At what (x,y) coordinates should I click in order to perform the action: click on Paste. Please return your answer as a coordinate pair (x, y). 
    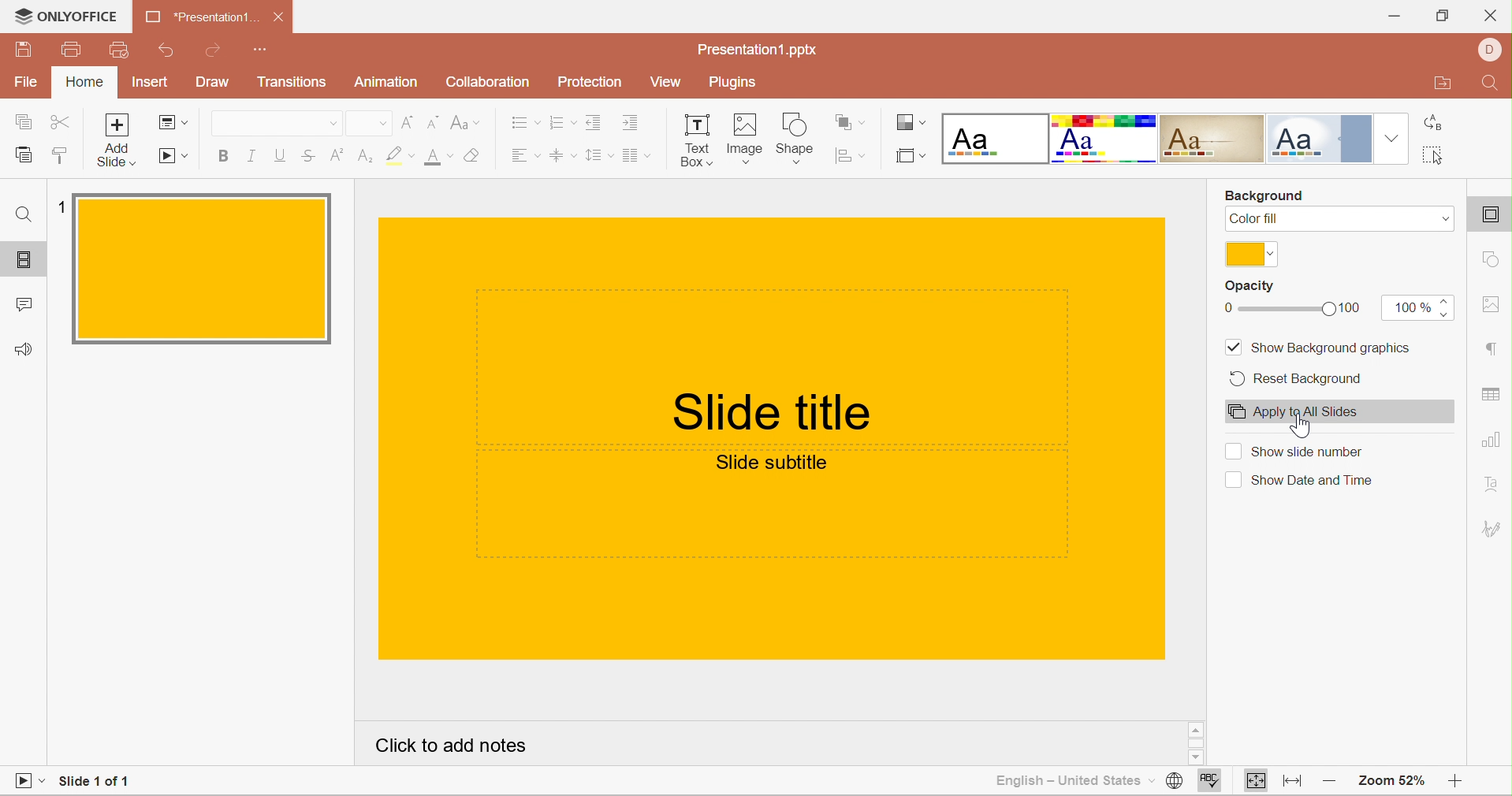
    Looking at the image, I should click on (22, 156).